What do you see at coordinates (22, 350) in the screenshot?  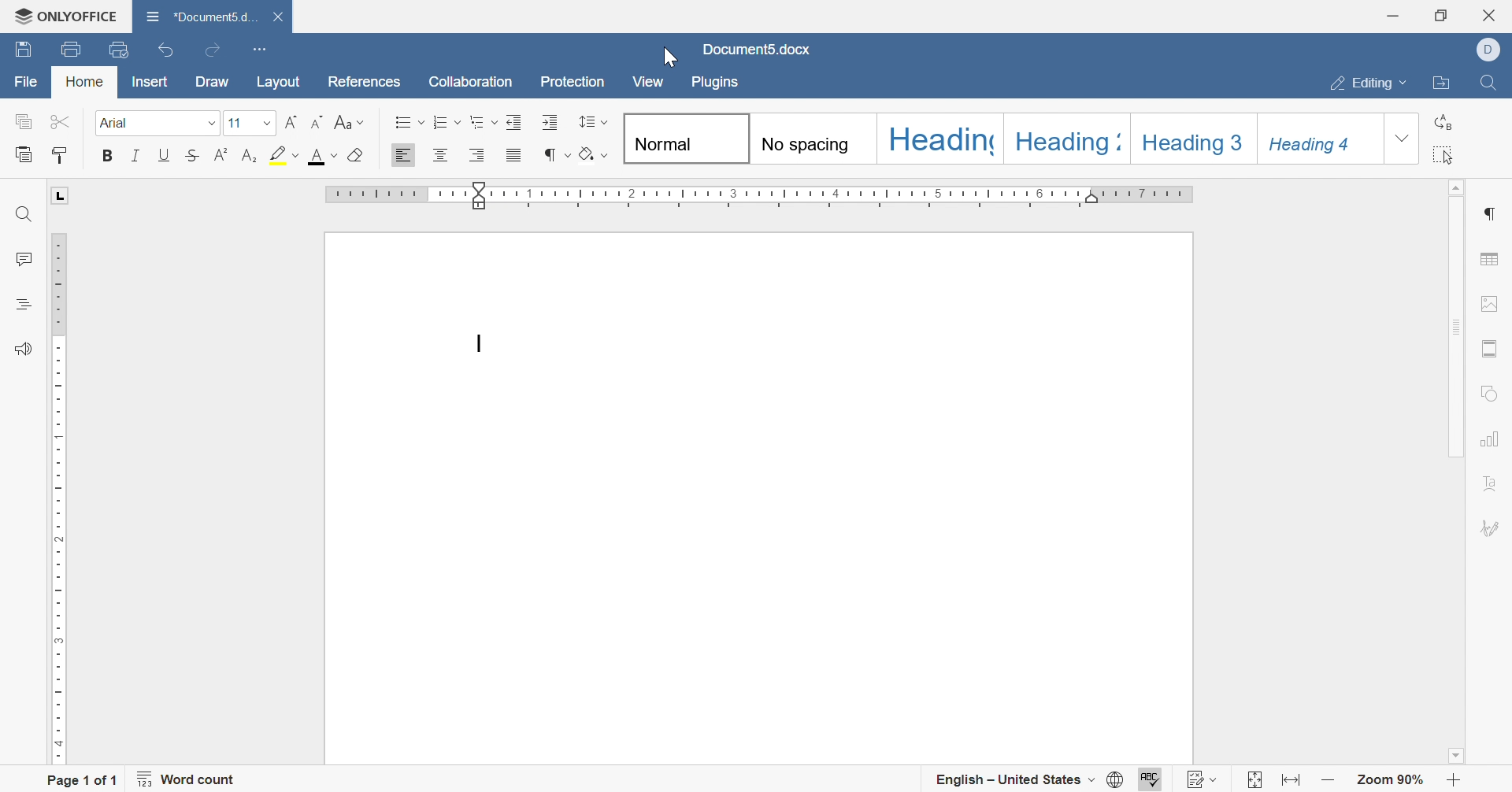 I see `feedback and support` at bounding box center [22, 350].